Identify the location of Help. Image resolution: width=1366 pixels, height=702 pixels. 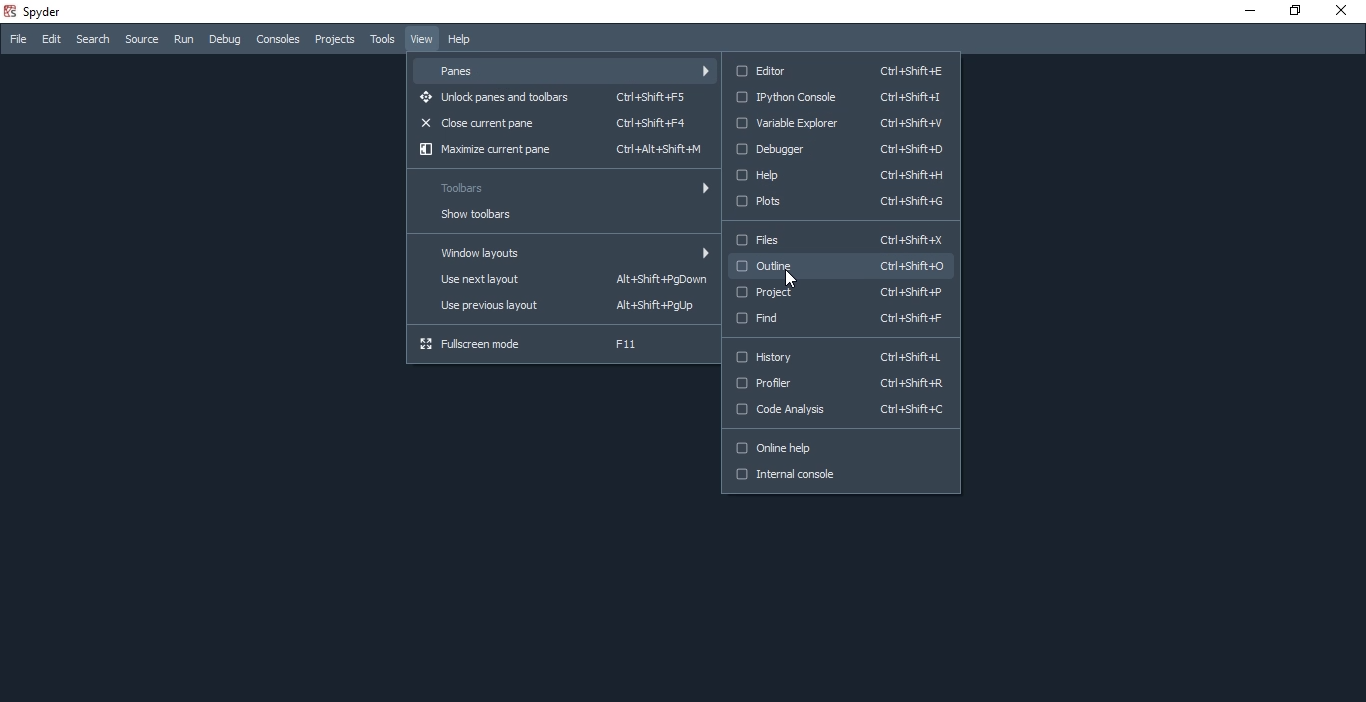
(840, 175).